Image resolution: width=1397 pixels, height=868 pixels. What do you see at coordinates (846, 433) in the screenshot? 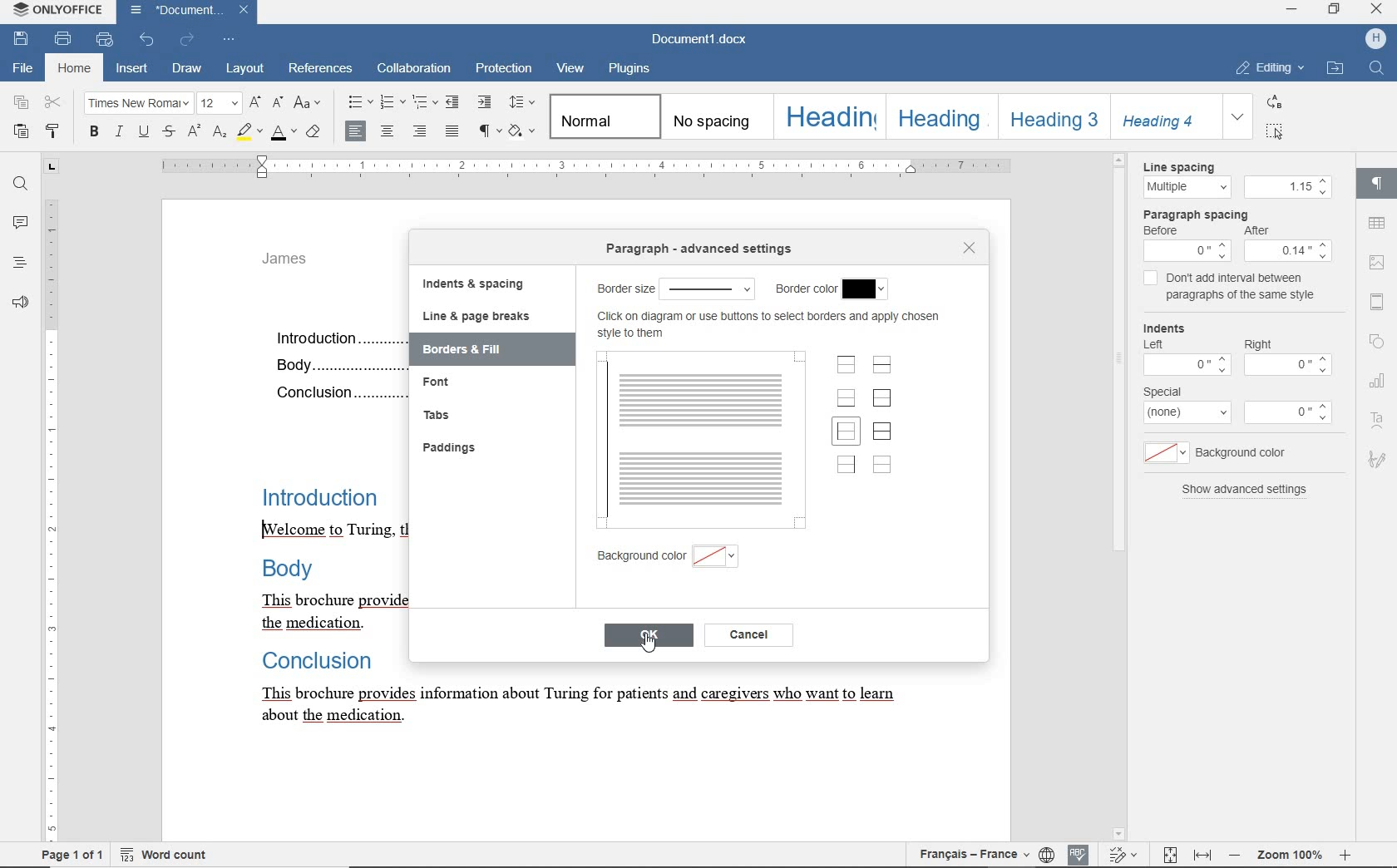
I see `set left border only` at bounding box center [846, 433].